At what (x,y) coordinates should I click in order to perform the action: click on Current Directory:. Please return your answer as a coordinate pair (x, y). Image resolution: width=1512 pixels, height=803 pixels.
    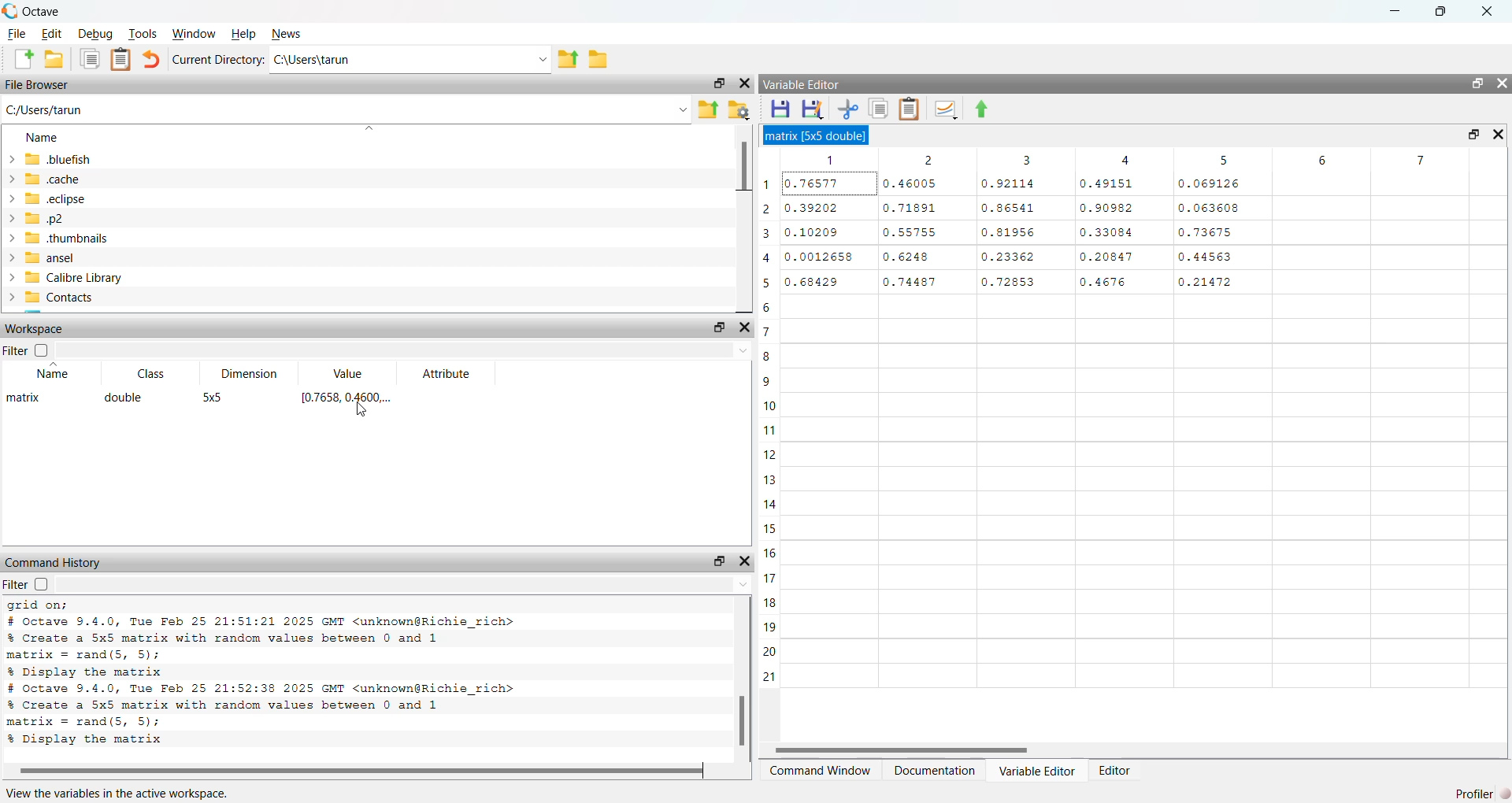
    Looking at the image, I should click on (220, 58).